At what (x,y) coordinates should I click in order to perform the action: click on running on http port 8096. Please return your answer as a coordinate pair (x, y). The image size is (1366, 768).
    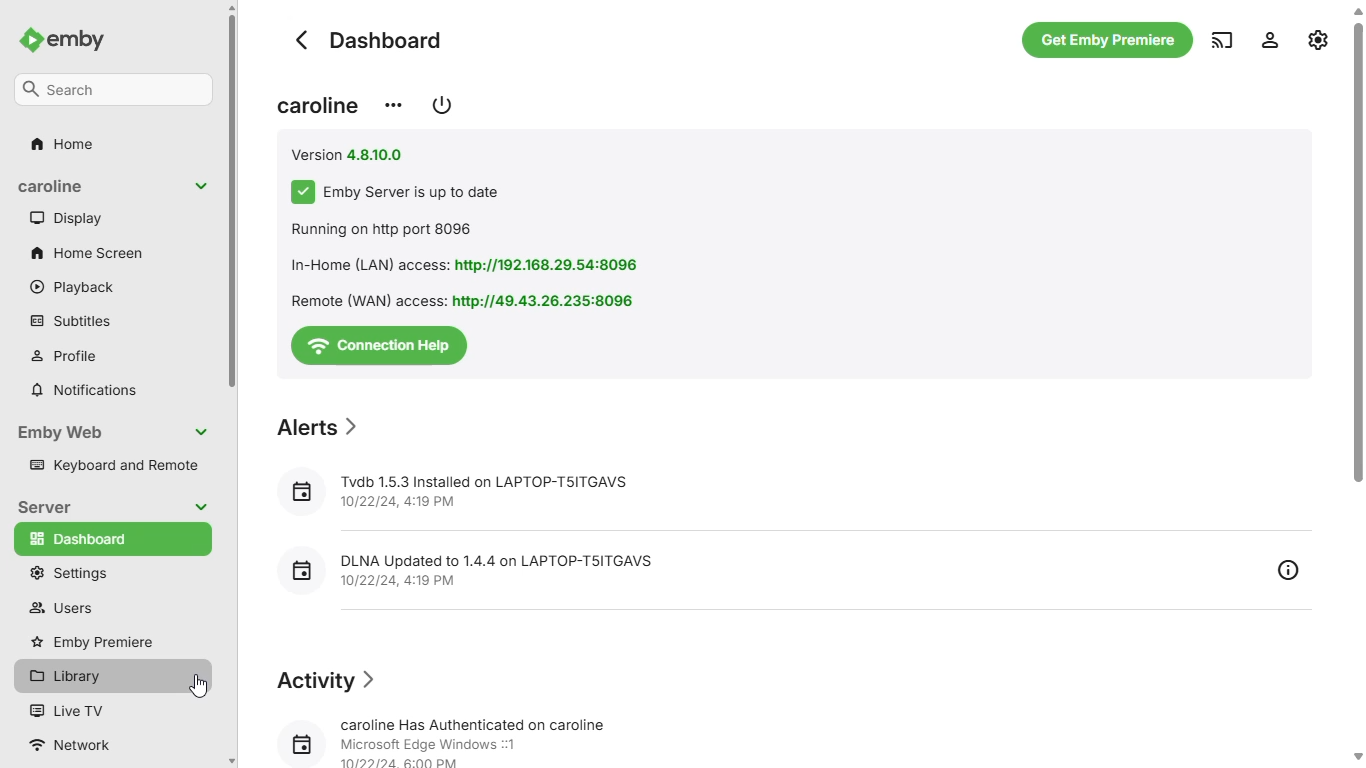
    Looking at the image, I should click on (381, 229).